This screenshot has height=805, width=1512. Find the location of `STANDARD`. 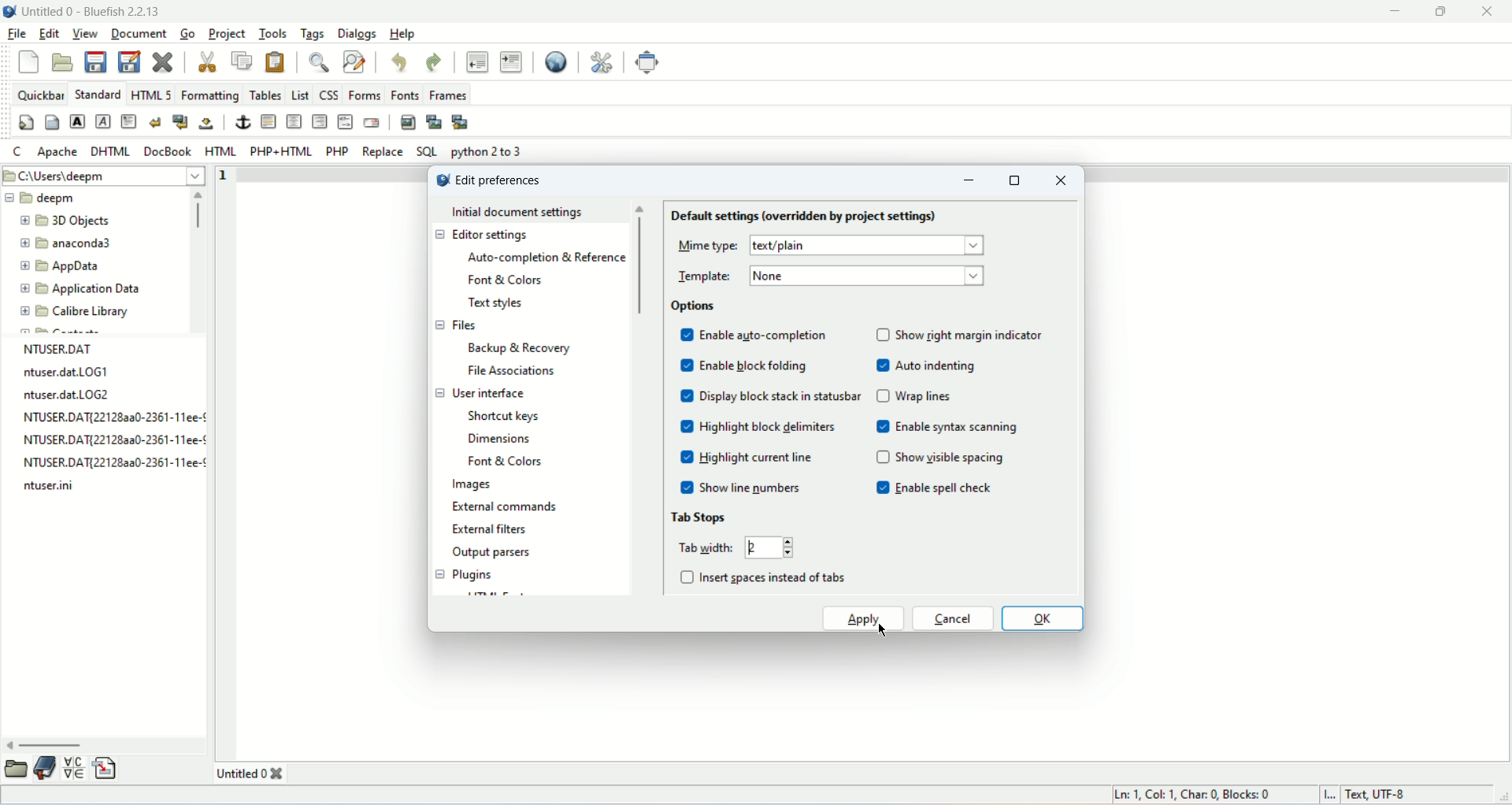

STANDARD is located at coordinates (97, 93).